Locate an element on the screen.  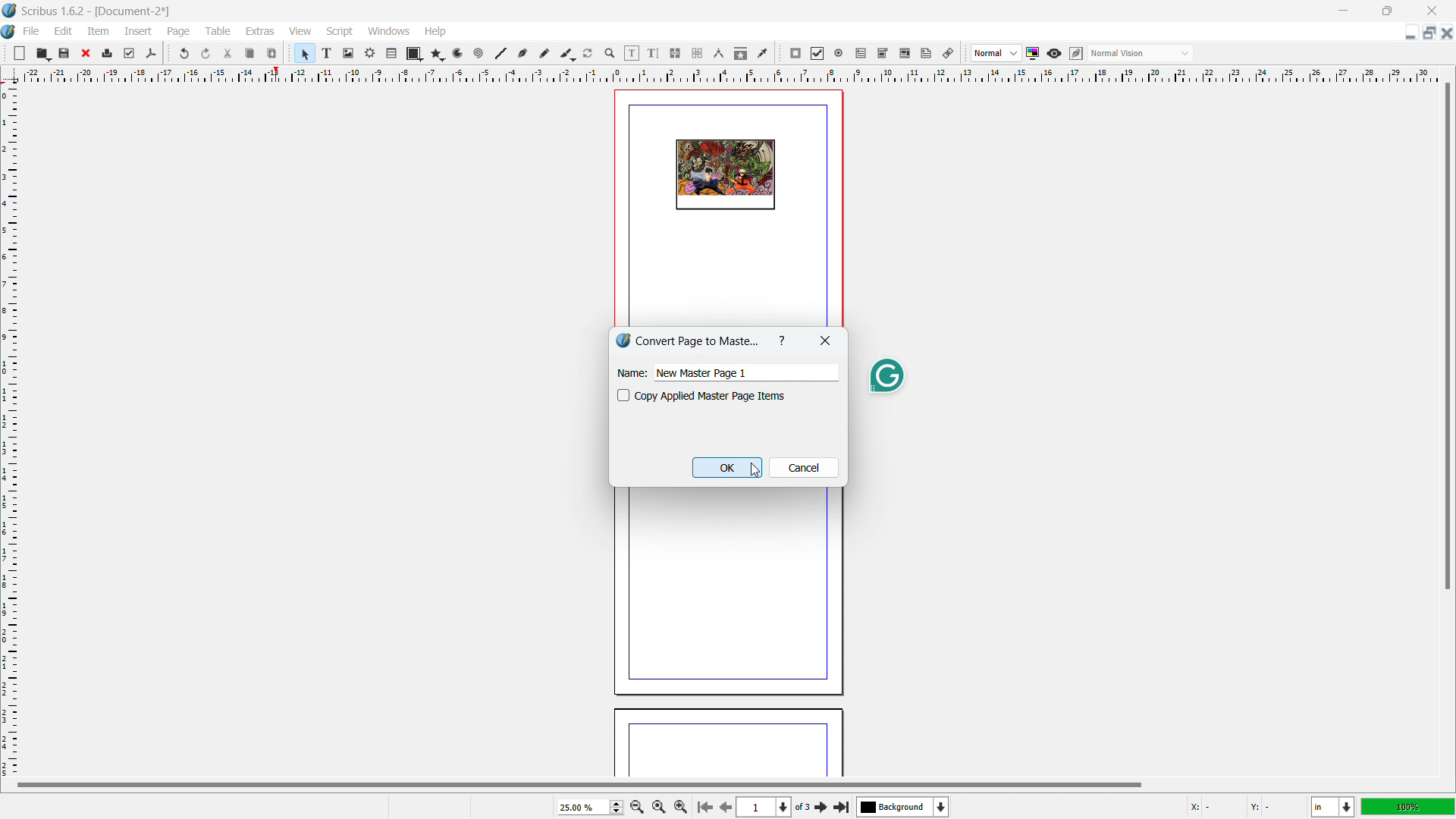
save is located at coordinates (65, 52).